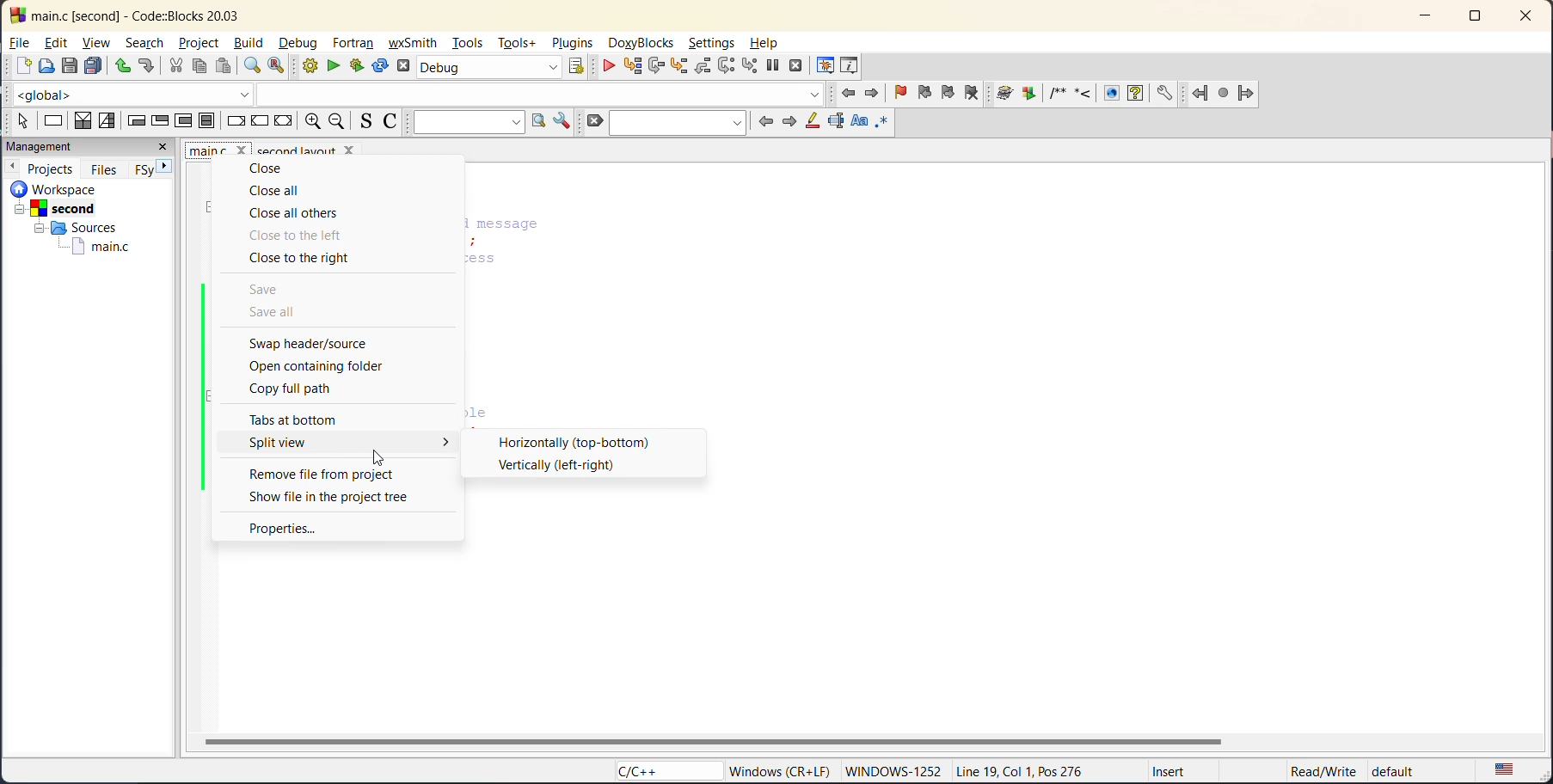 Image resolution: width=1553 pixels, height=784 pixels. Describe the element at coordinates (95, 67) in the screenshot. I see `save everything` at that location.